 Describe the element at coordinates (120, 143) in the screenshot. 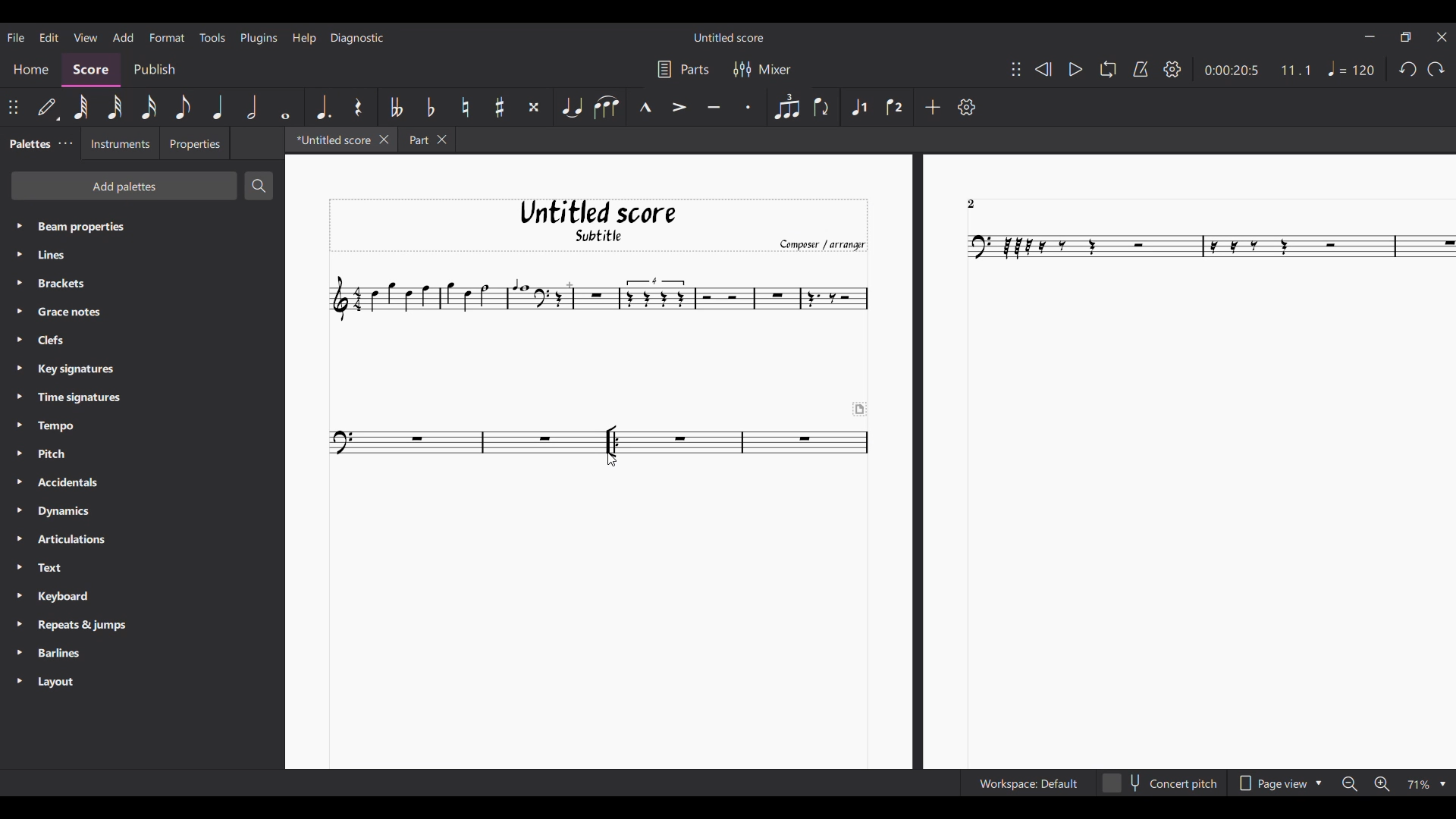

I see `Instruments tab` at that location.